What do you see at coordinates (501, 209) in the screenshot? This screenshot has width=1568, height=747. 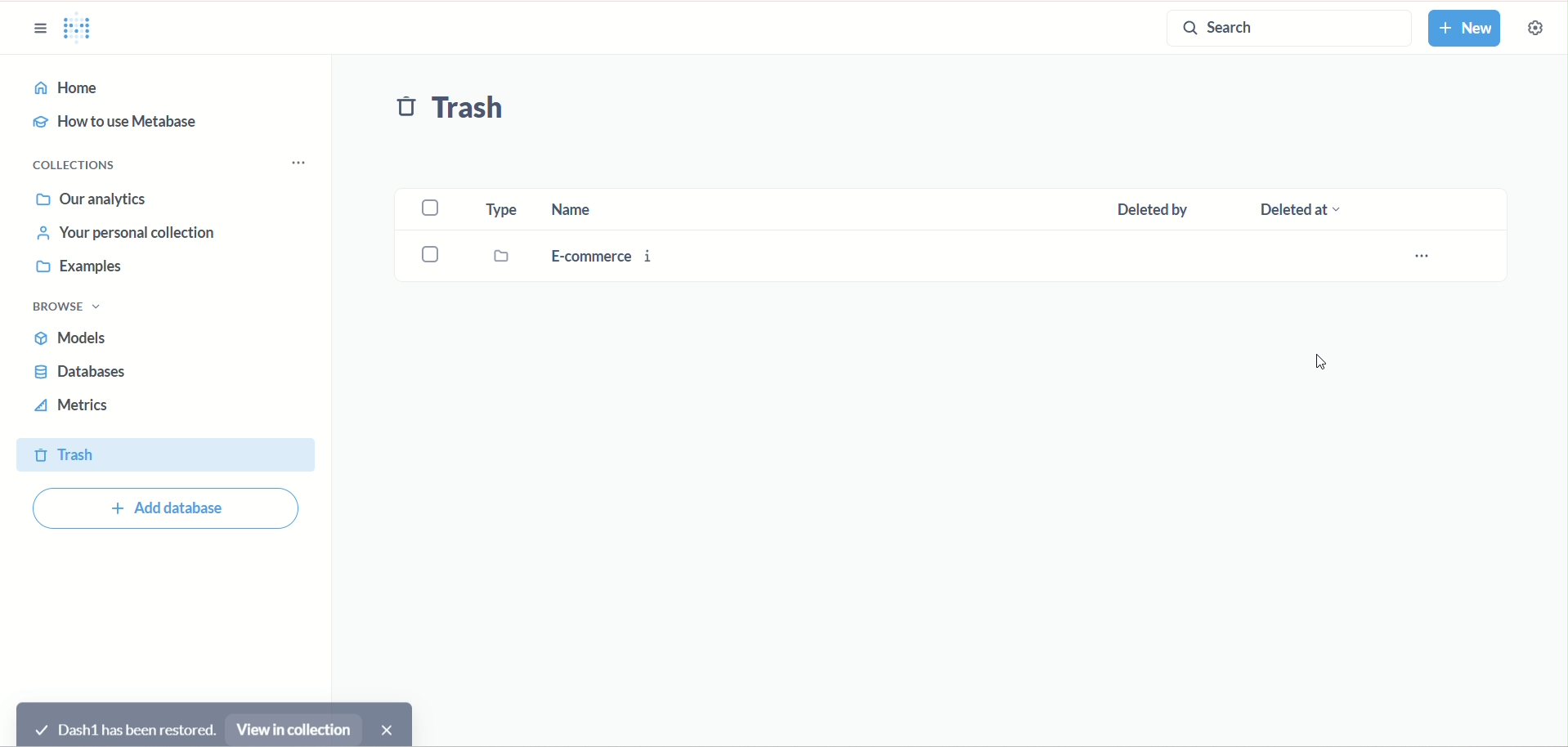 I see `type` at bounding box center [501, 209].